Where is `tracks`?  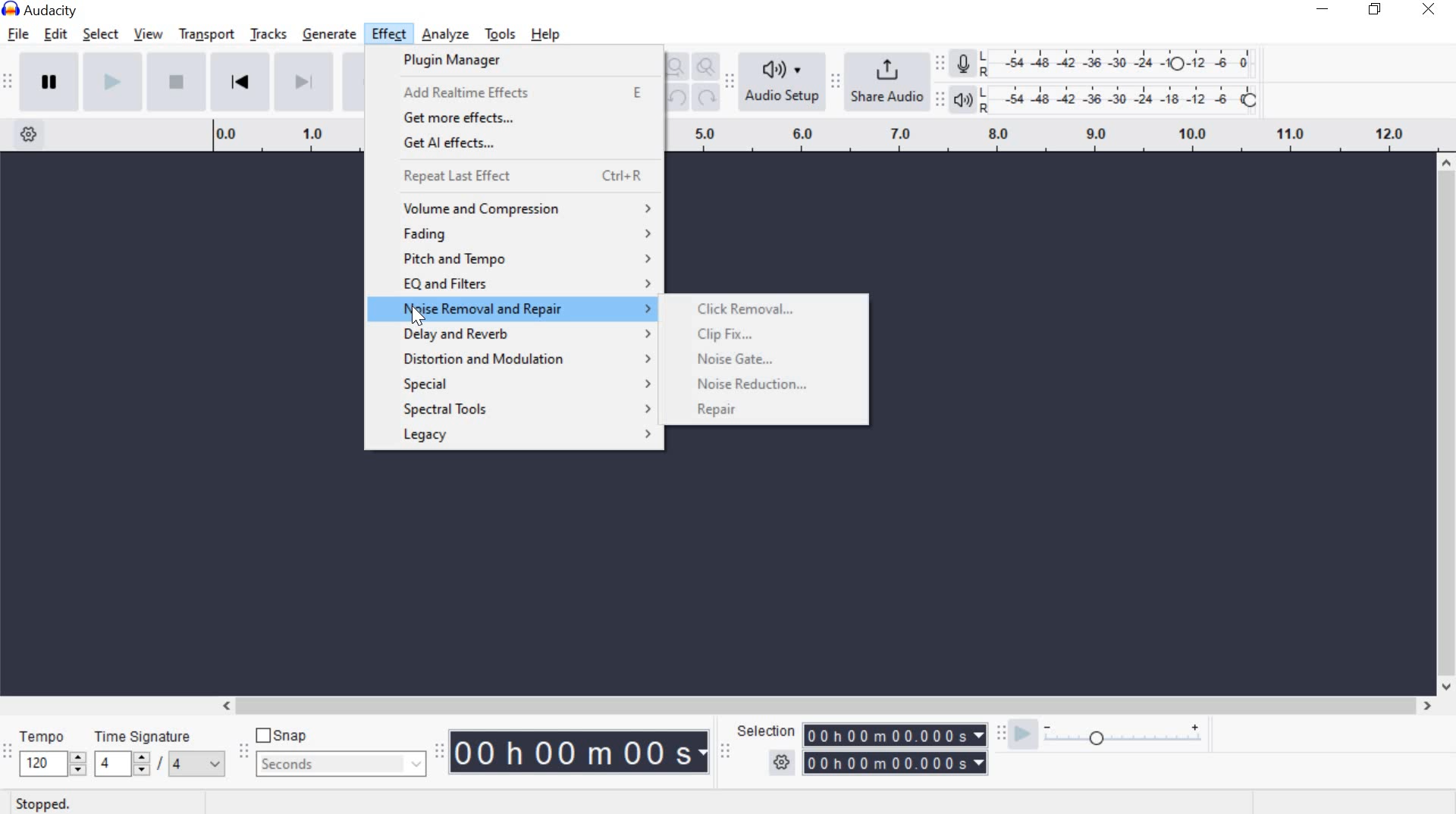
tracks is located at coordinates (265, 36).